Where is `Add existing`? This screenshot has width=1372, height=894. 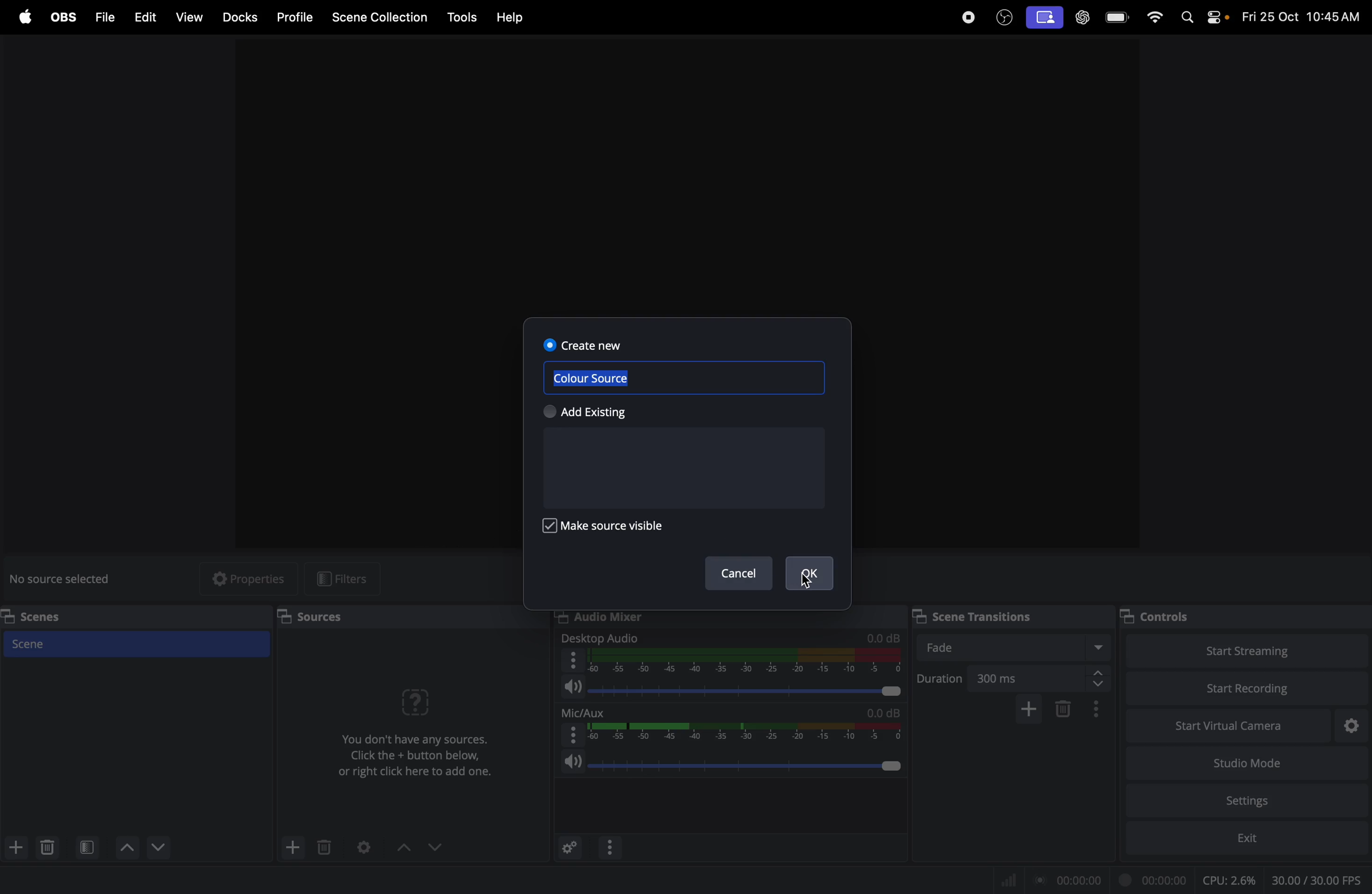
Add existing is located at coordinates (593, 413).